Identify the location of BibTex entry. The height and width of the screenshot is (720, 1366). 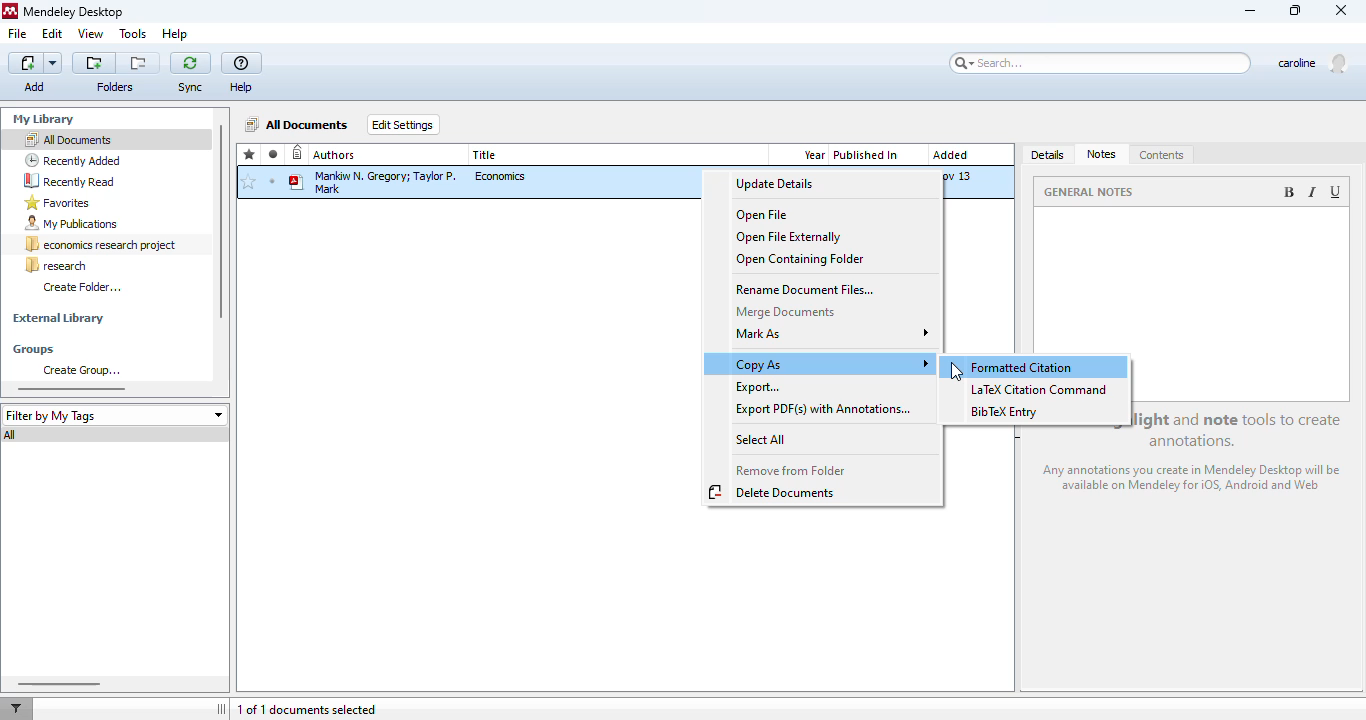
(1003, 412).